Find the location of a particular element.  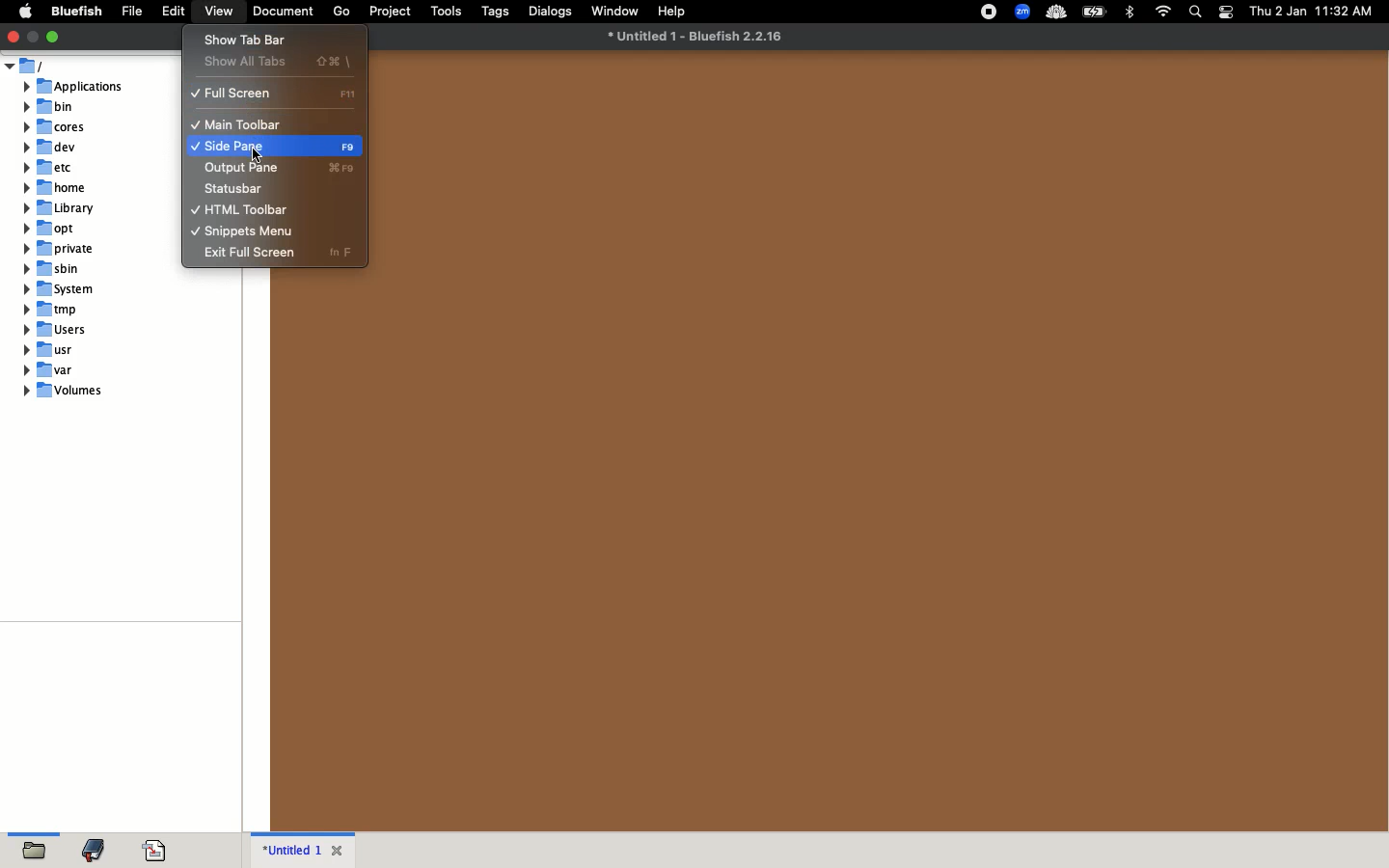

library is located at coordinates (60, 208).